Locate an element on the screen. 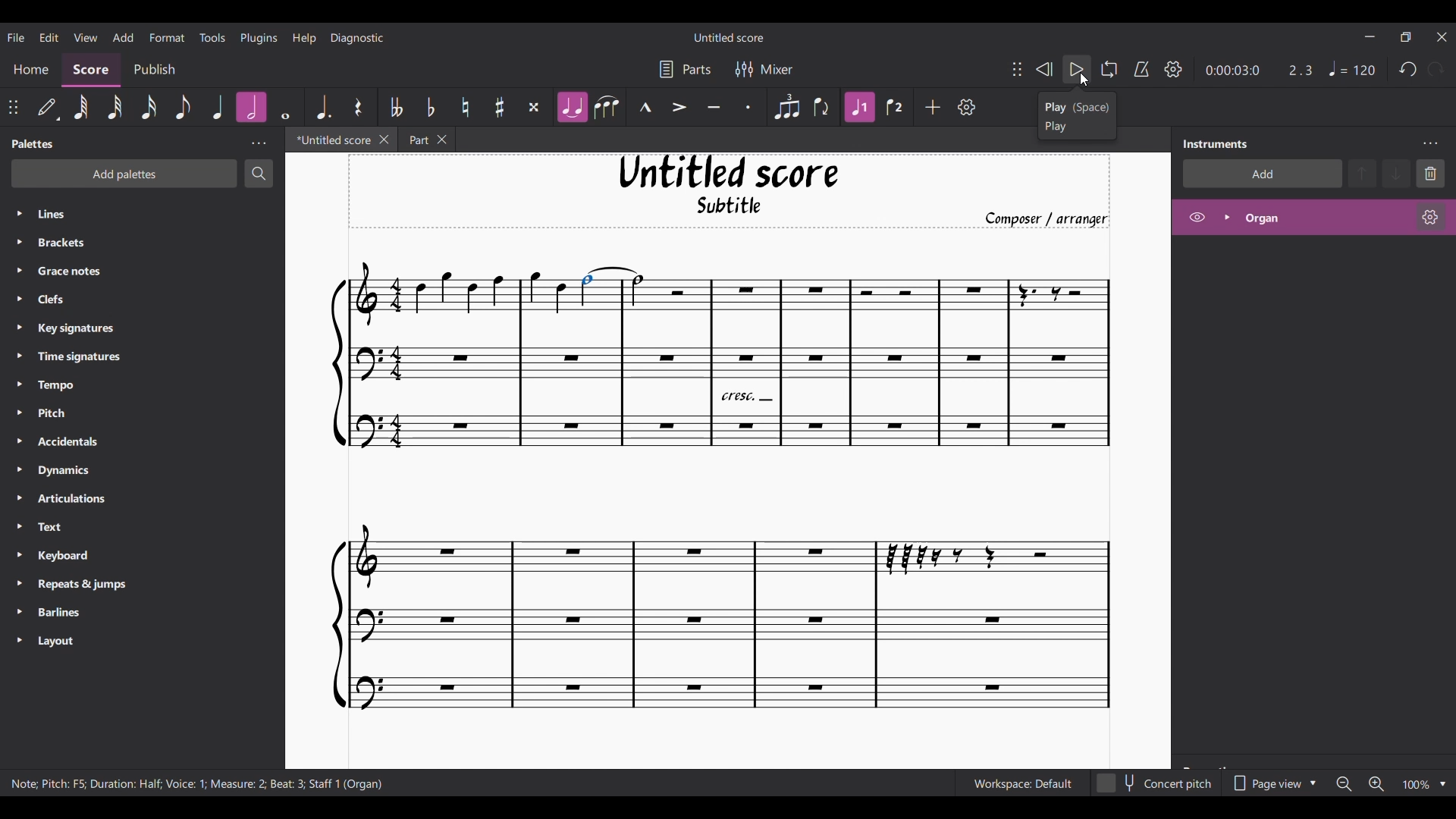 The height and width of the screenshot is (819, 1456). Page view options is located at coordinates (1272, 783).